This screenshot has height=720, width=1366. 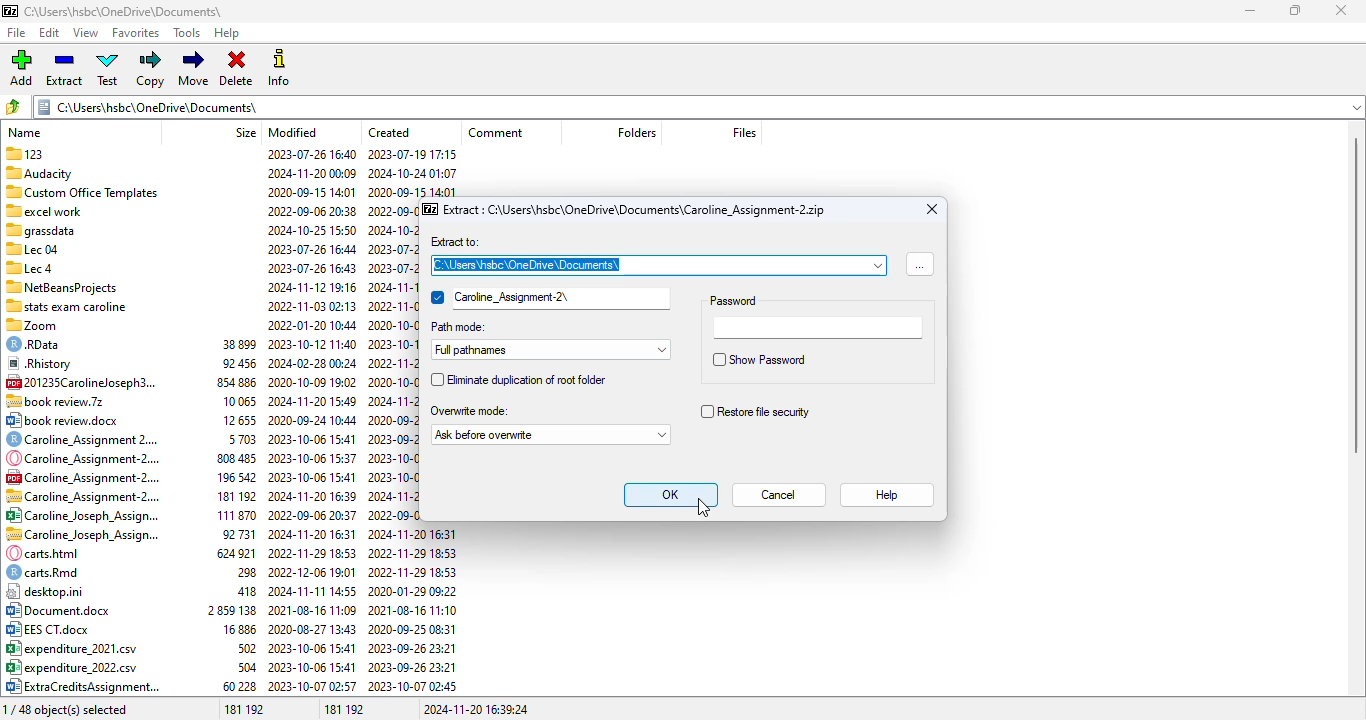 What do you see at coordinates (211, 230) in the screenshot?
I see `= grassdata 2024-10-25 15:50 2024-10-25 15:48` at bounding box center [211, 230].